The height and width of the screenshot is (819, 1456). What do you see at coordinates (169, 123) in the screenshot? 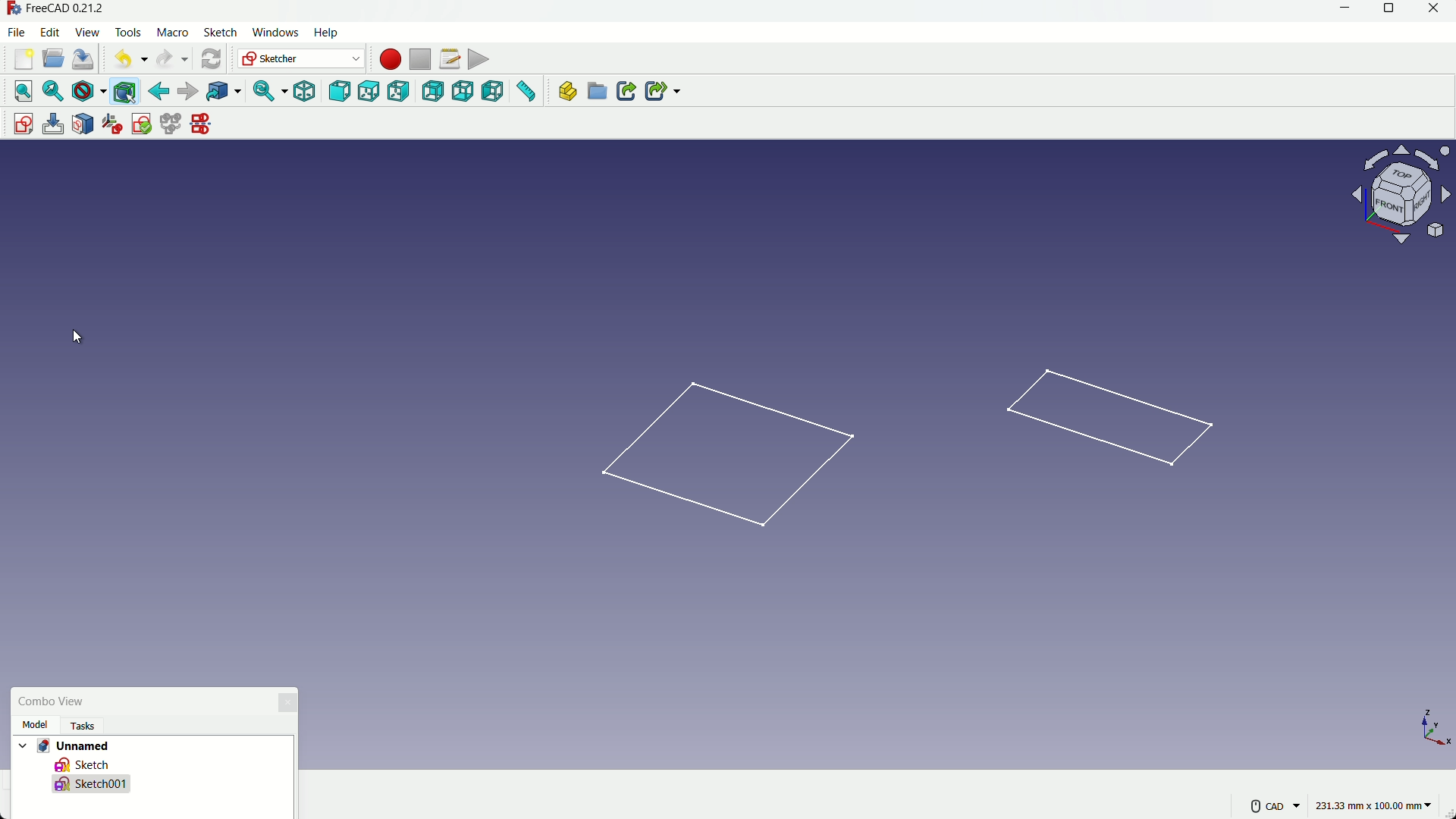
I see `merge sketches` at bounding box center [169, 123].